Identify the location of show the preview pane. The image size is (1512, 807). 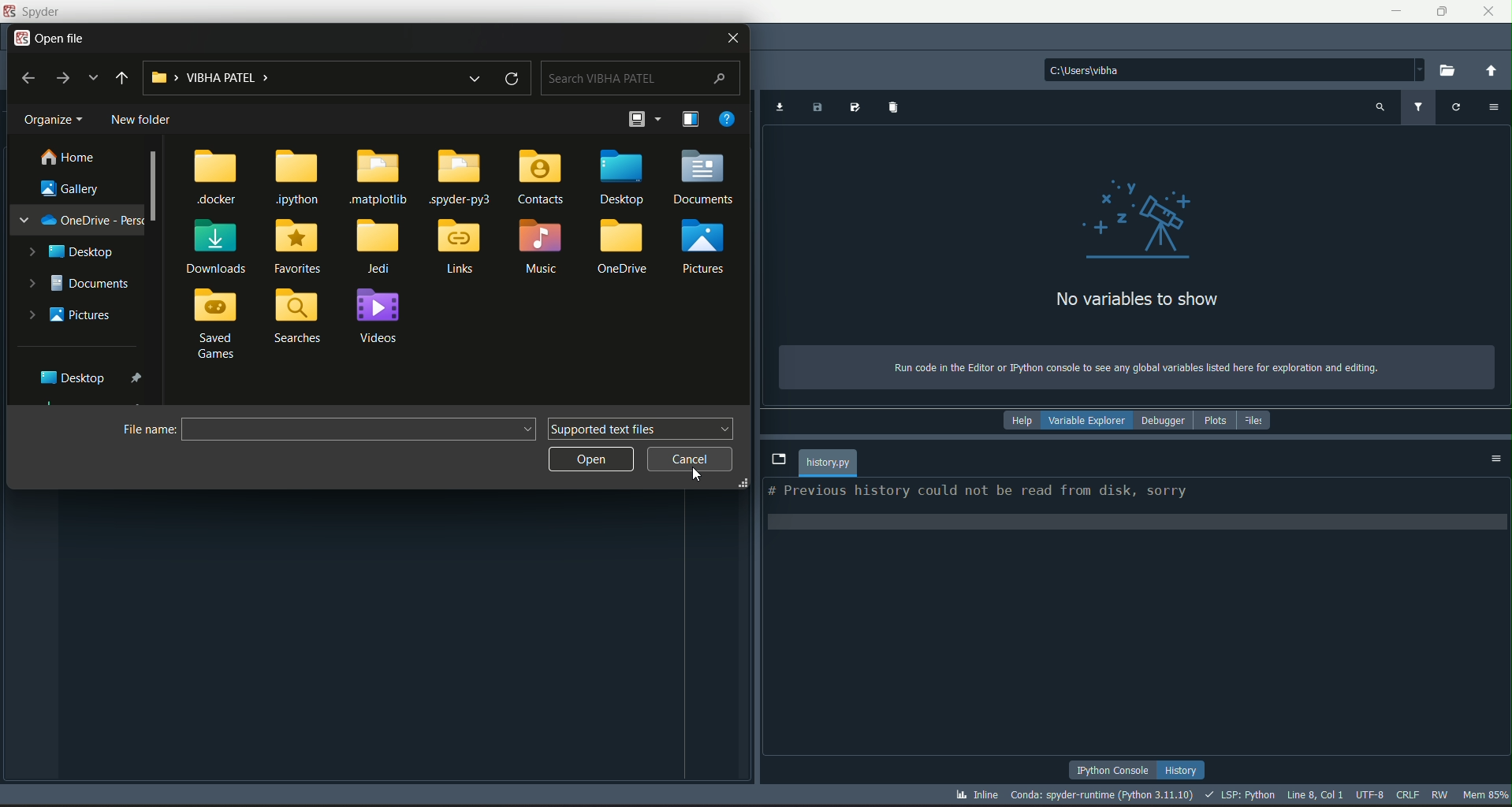
(691, 118).